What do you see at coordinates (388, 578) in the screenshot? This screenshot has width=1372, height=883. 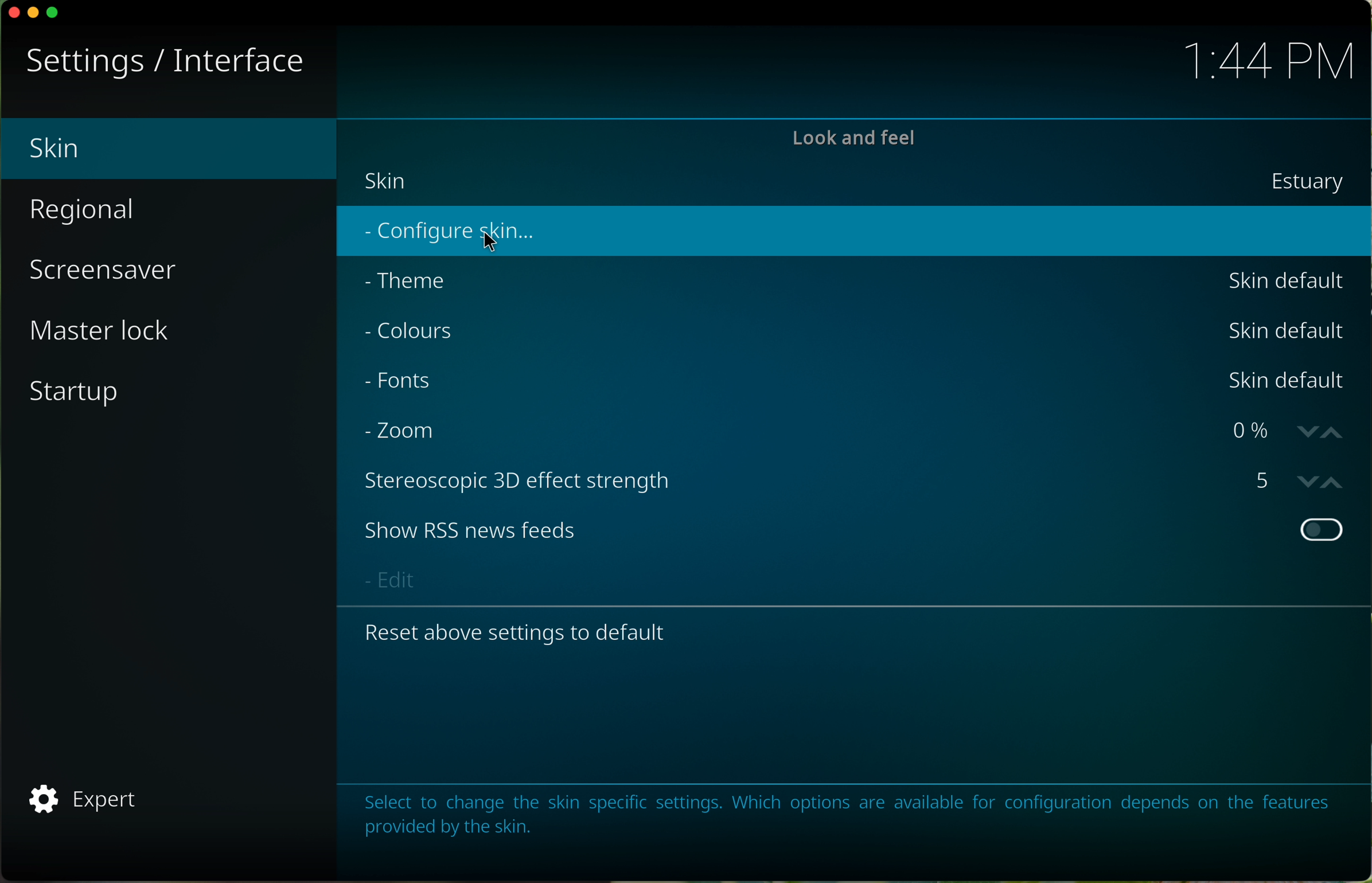 I see `edit` at bounding box center [388, 578].